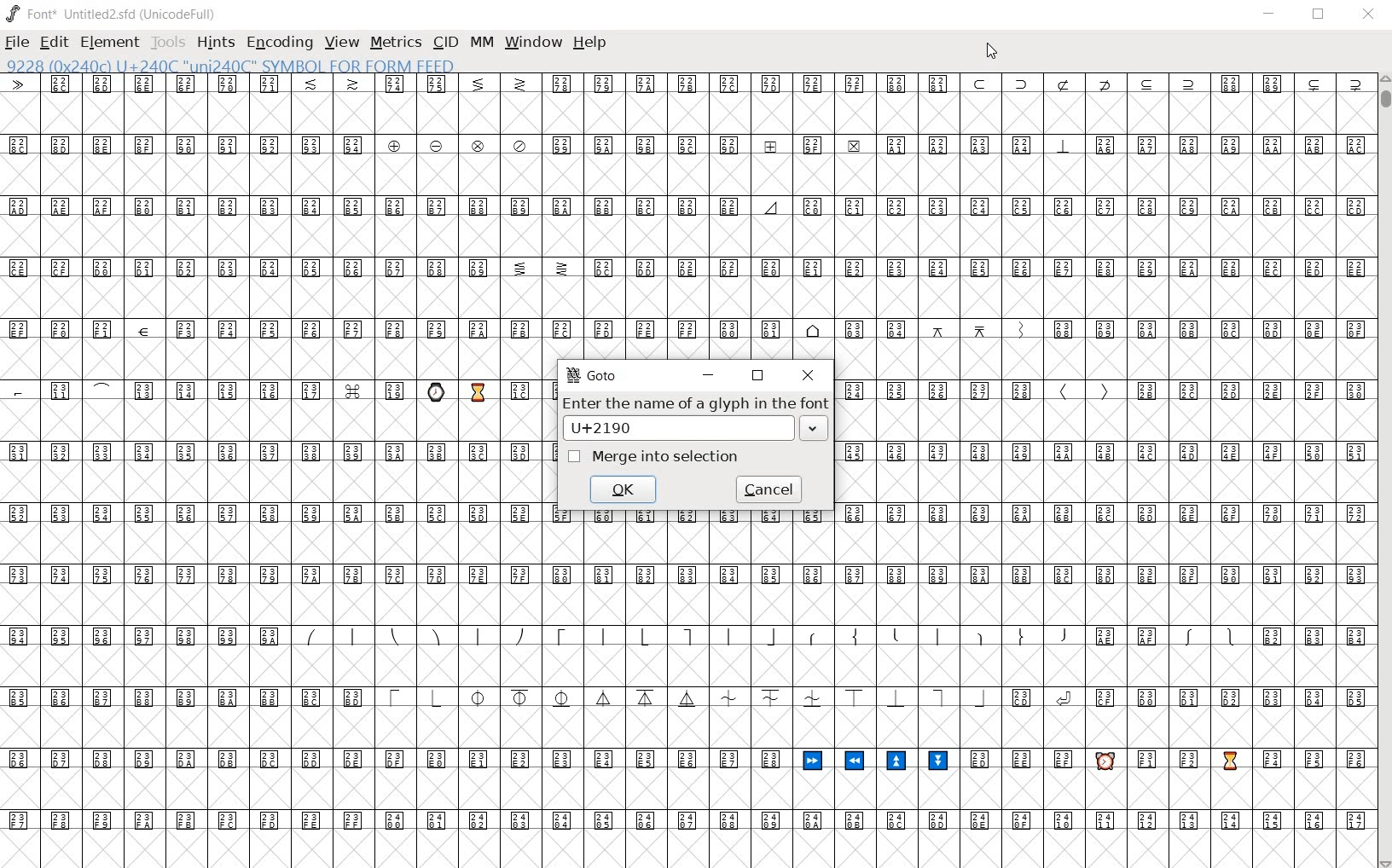  I want to click on Enter the name of a glyph in the font, so click(695, 419).